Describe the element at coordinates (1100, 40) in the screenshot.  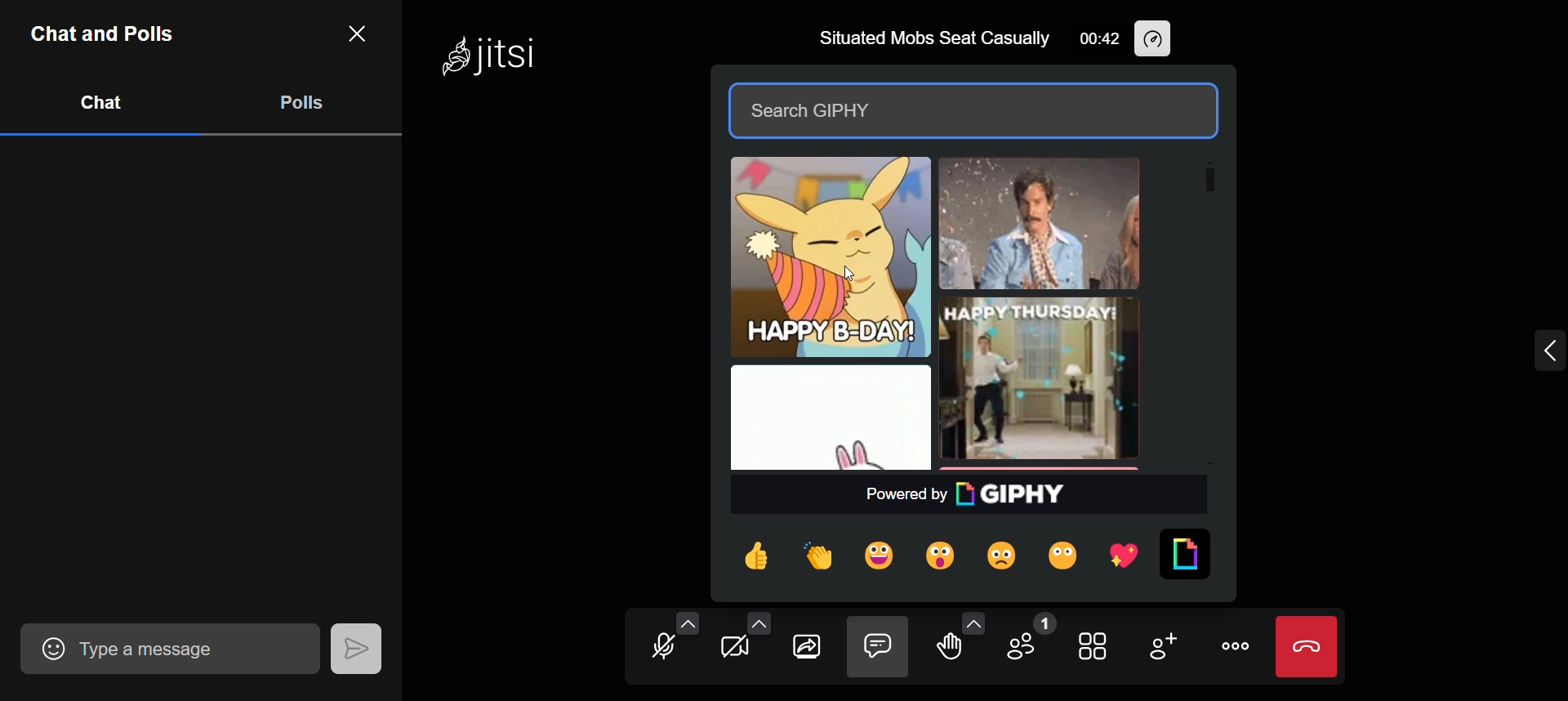
I see `00:42` at that location.